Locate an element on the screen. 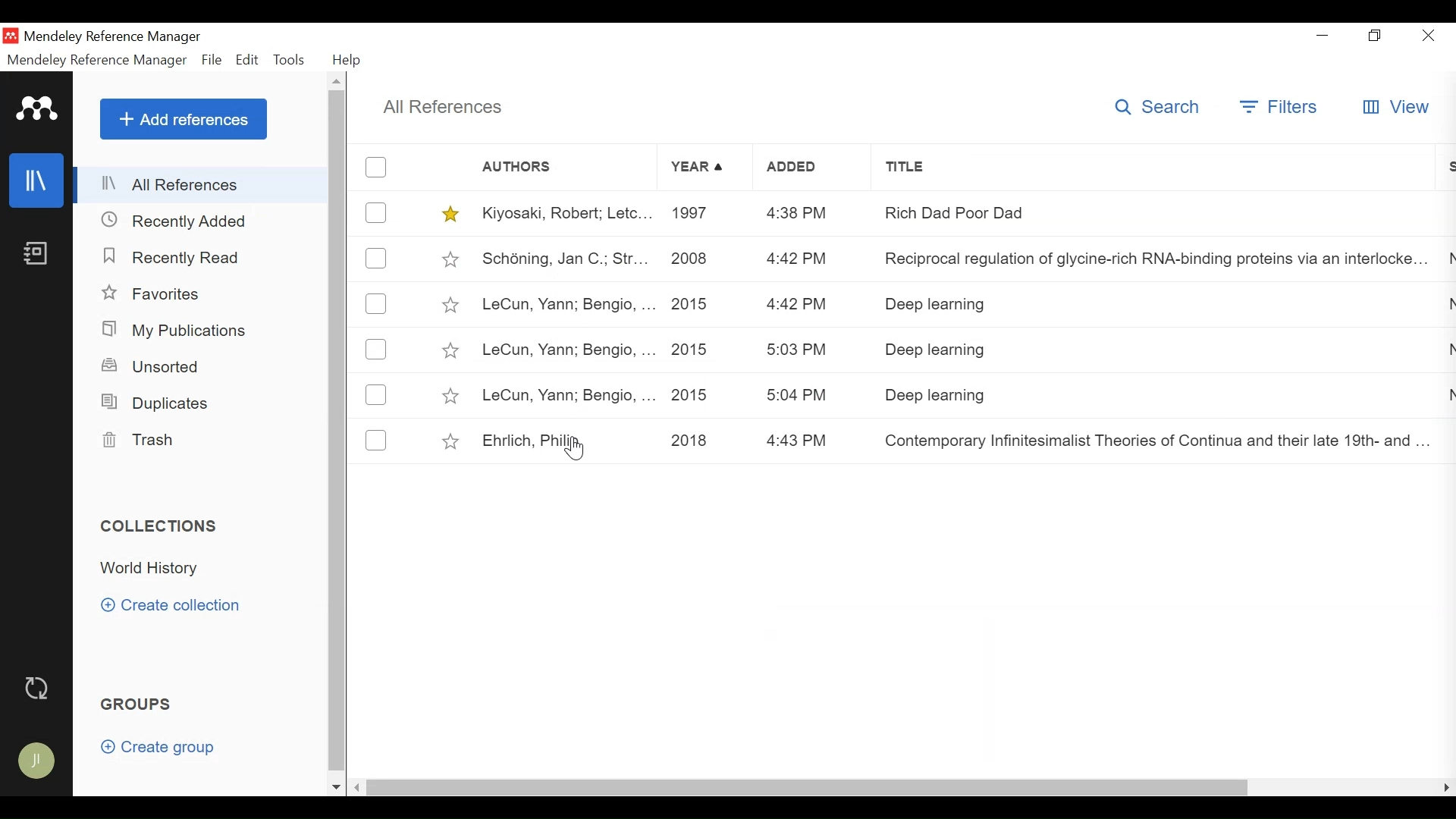 This screenshot has height=819, width=1456. Mendeley Reference Manager is located at coordinates (99, 60).